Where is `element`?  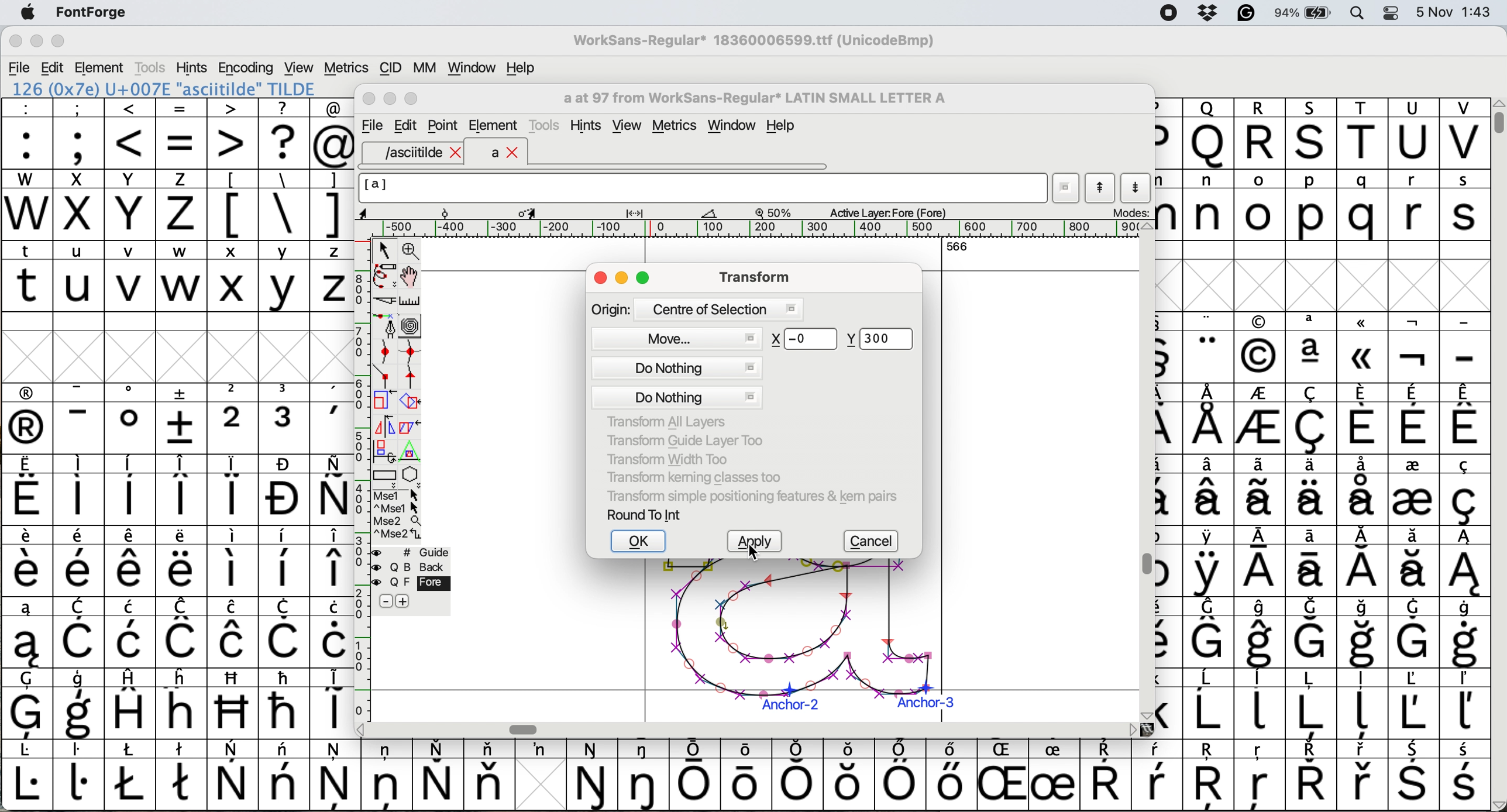
element is located at coordinates (493, 125).